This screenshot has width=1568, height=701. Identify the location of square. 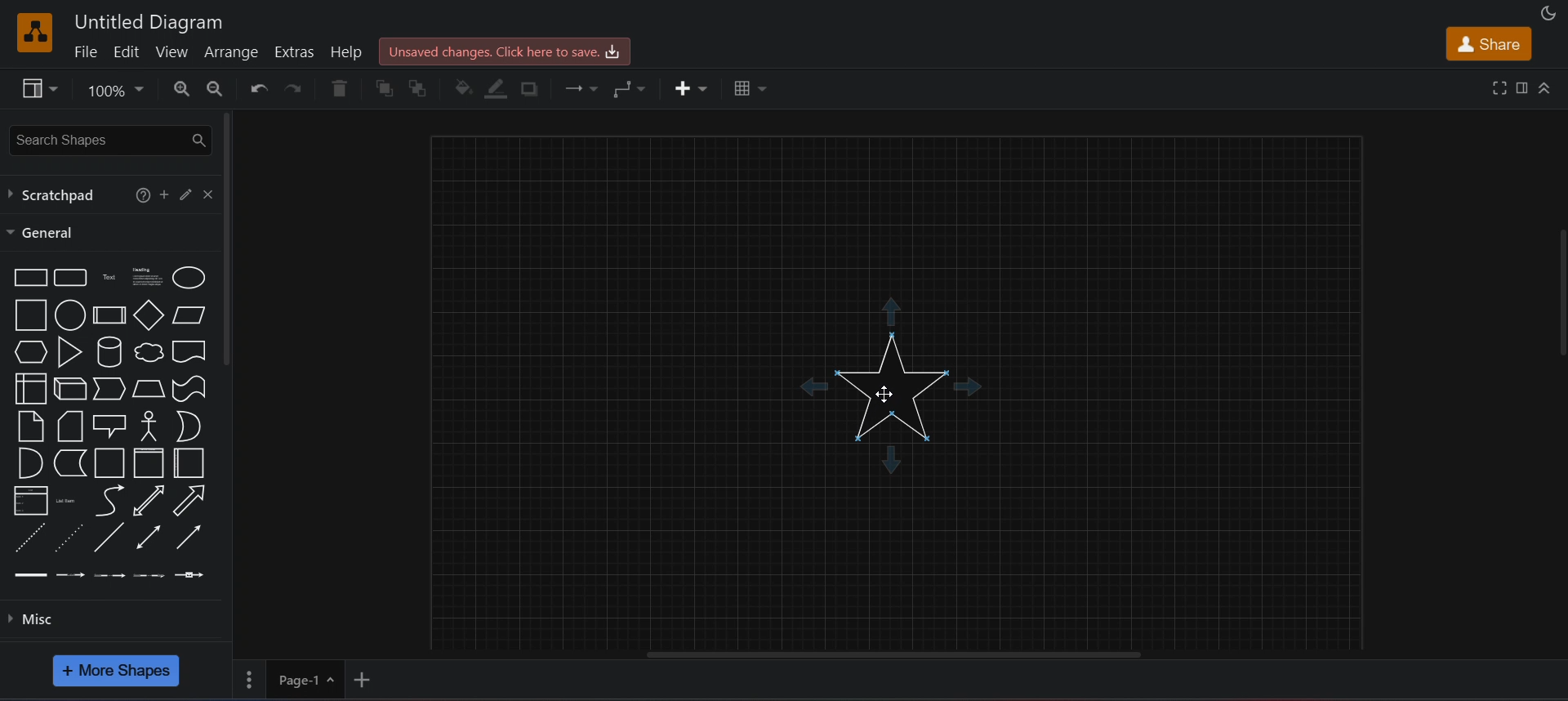
(29, 315).